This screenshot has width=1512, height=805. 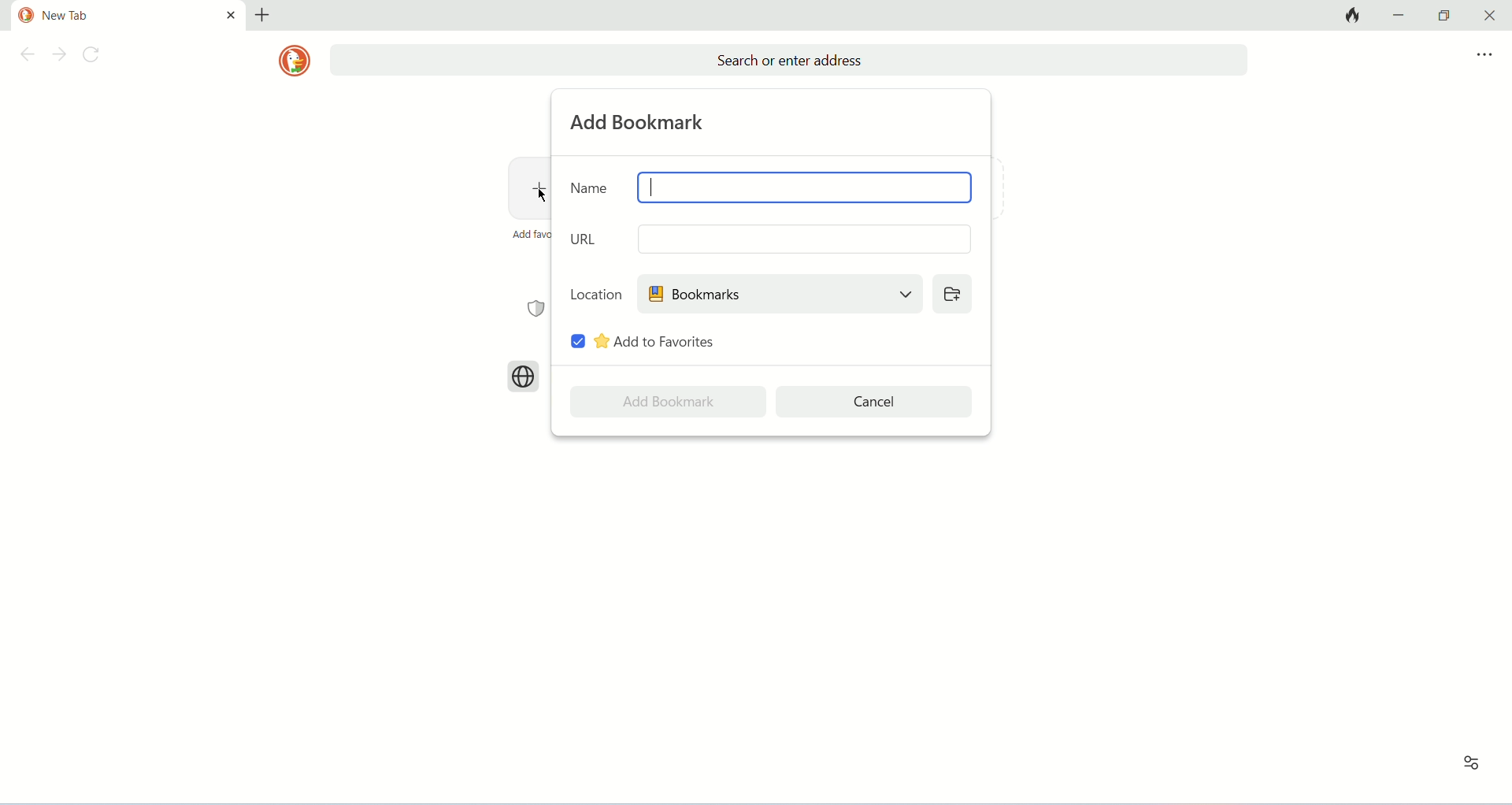 What do you see at coordinates (231, 14) in the screenshot?
I see `close tab` at bounding box center [231, 14].